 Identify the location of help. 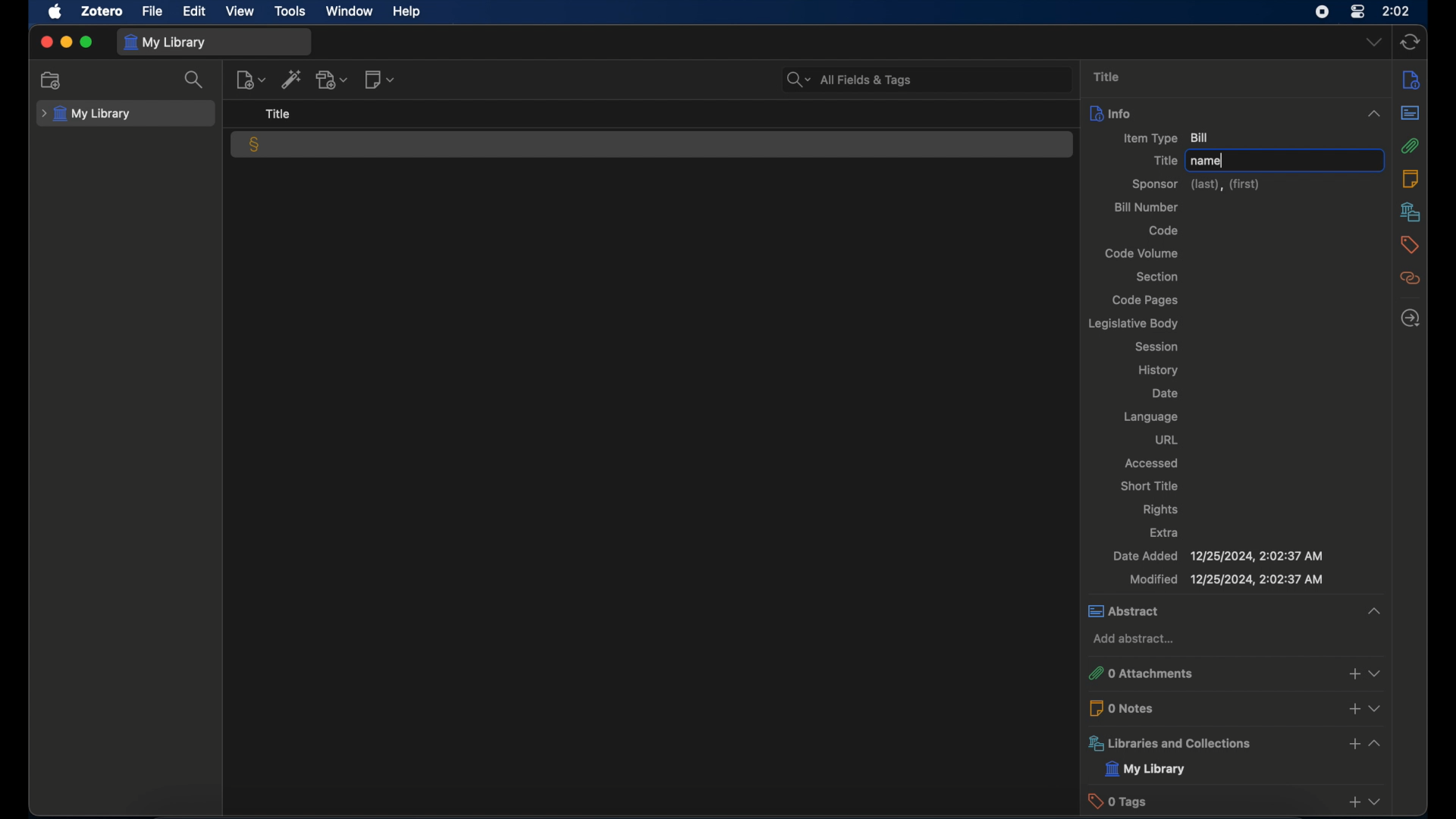
(406, 12).